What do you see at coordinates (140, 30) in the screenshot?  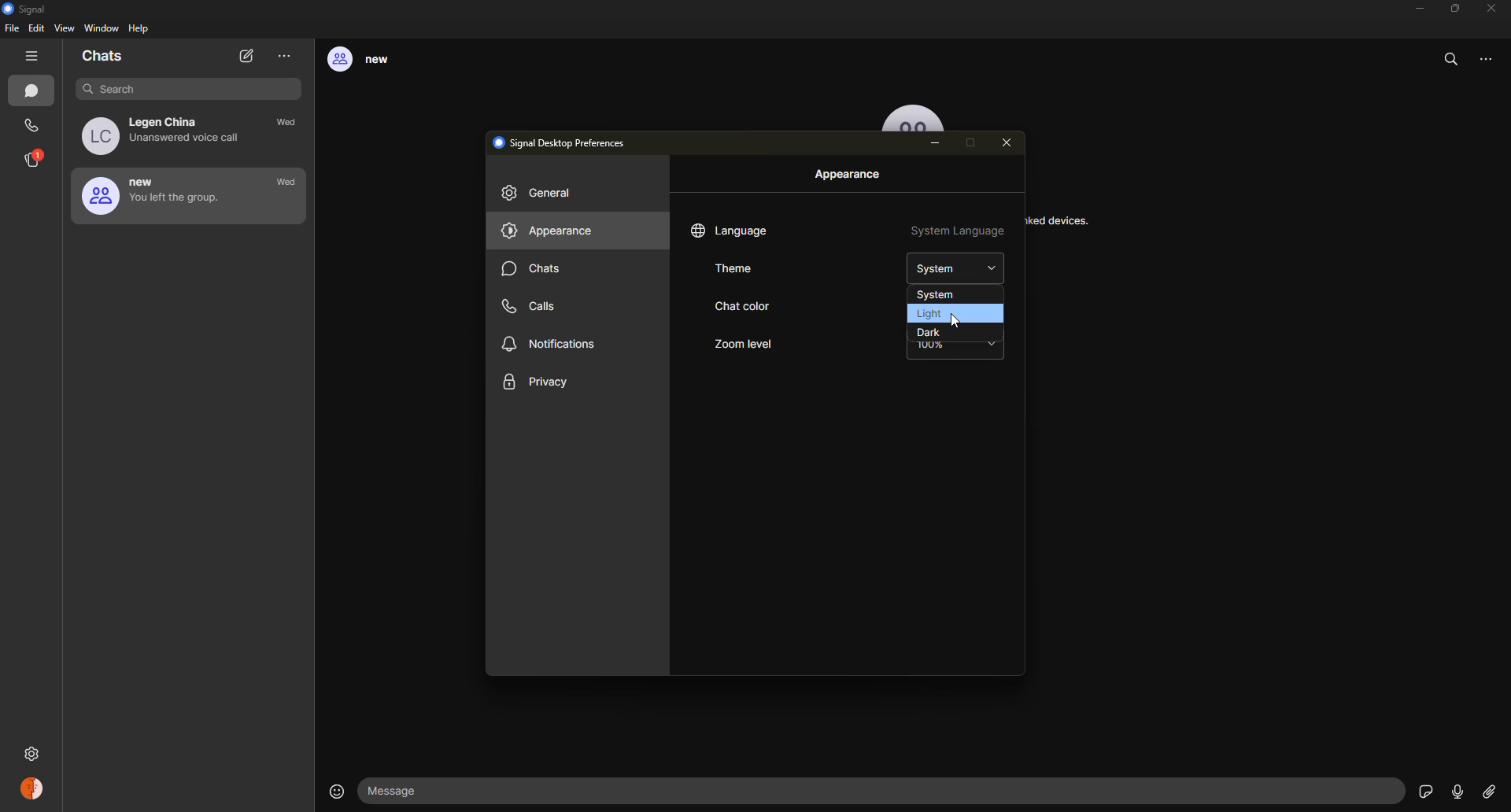 I see `help` at bounding box center [140, 30].